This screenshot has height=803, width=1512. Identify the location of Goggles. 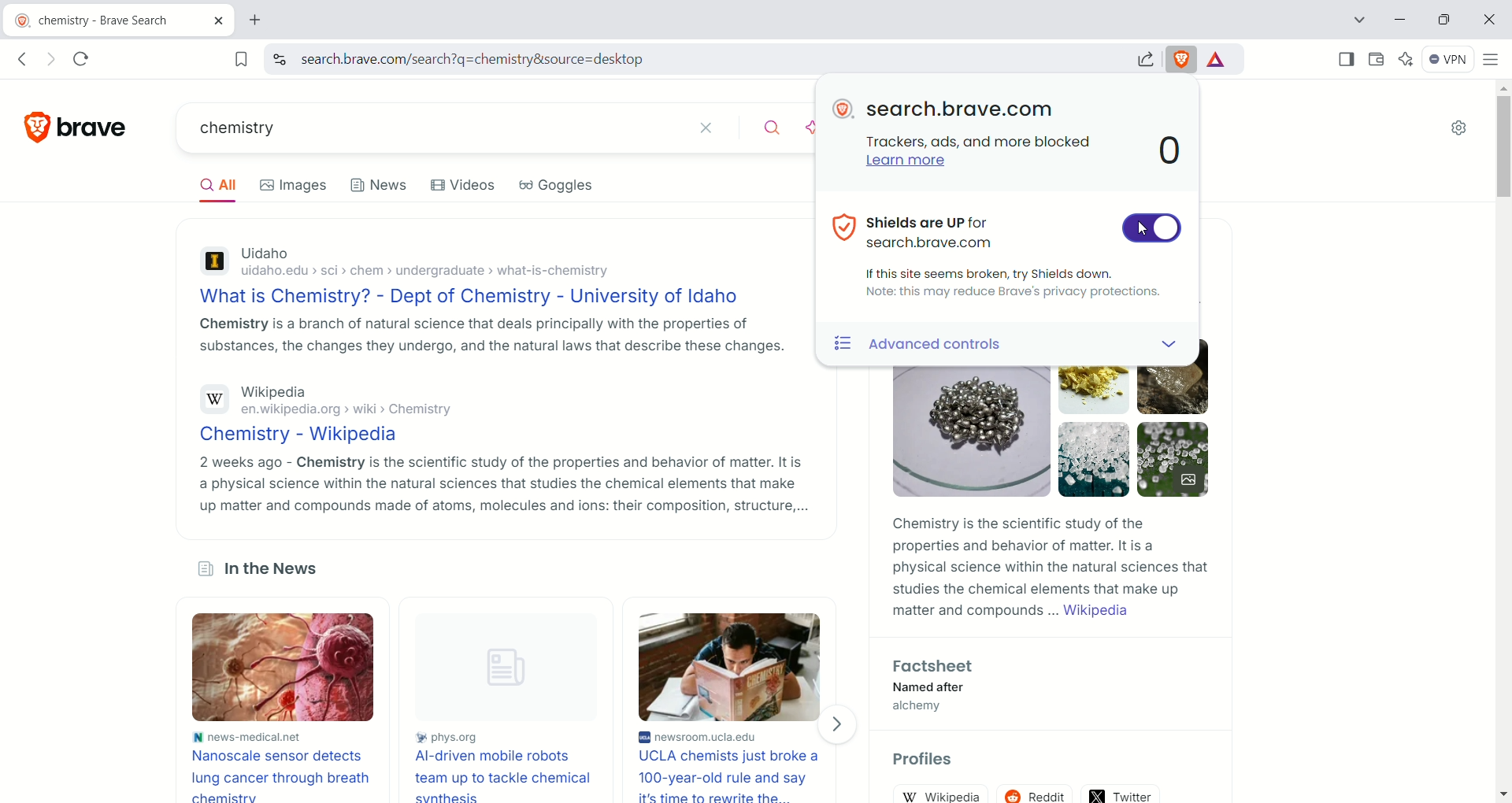
(558, 185).